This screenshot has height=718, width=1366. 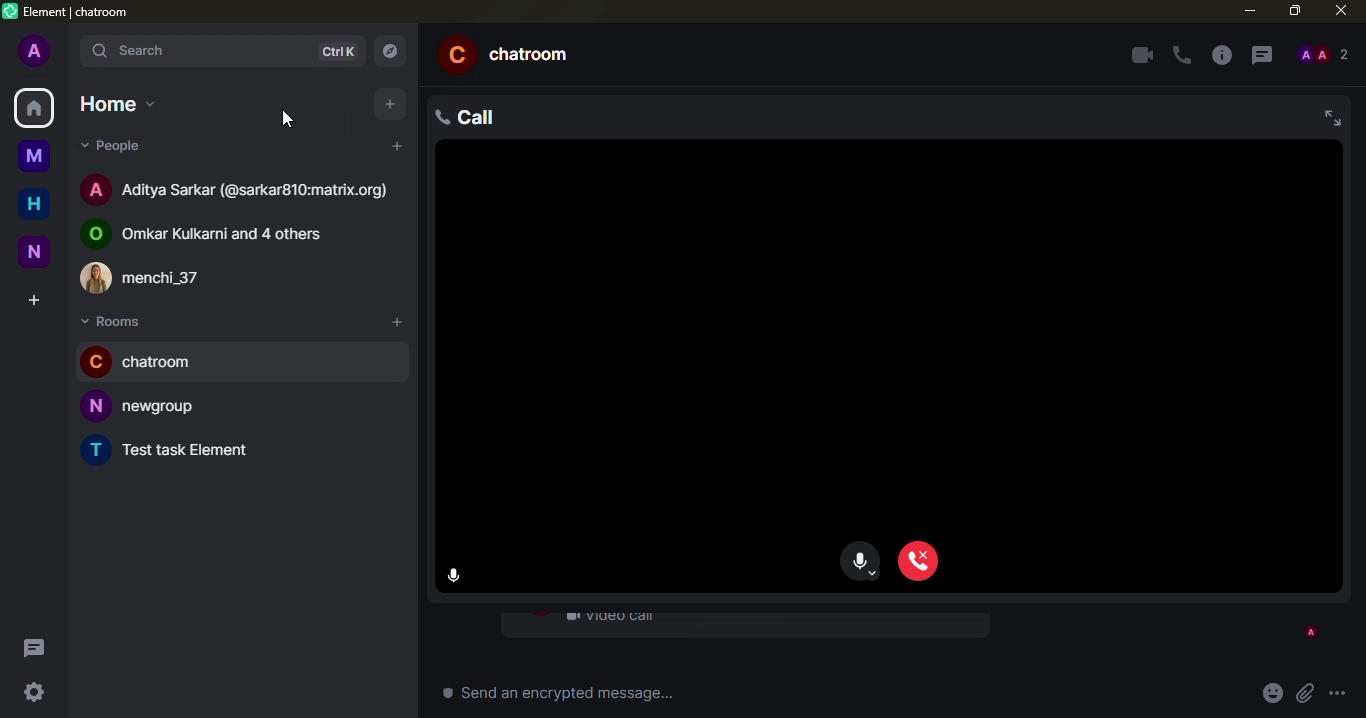 What do you see at coordinates (171, 451) in the screenshot?
I see `Test task element` at bounding box center [171, 451].